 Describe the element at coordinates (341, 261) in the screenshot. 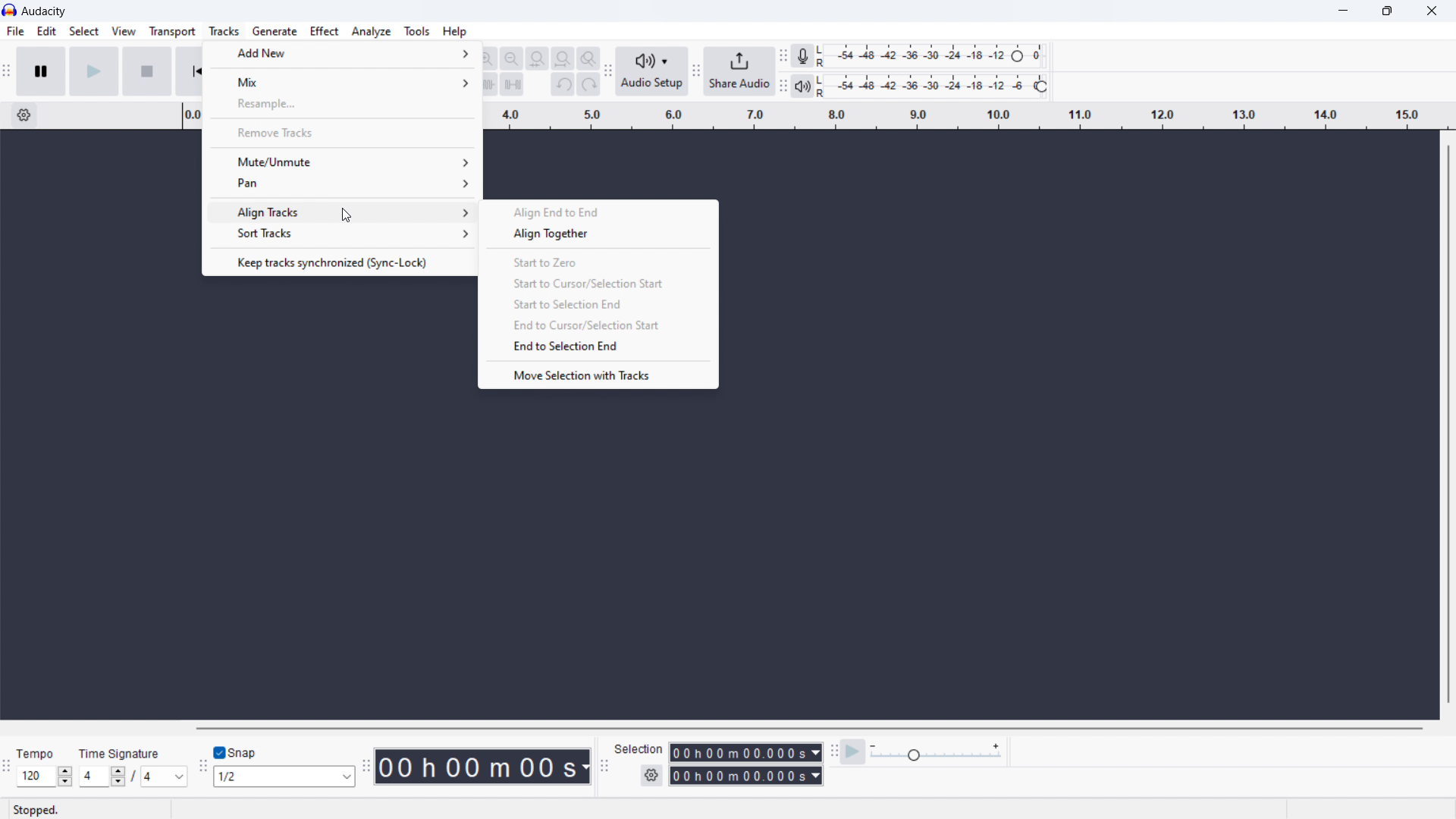

I see `keep tracks synchronized` at that location.